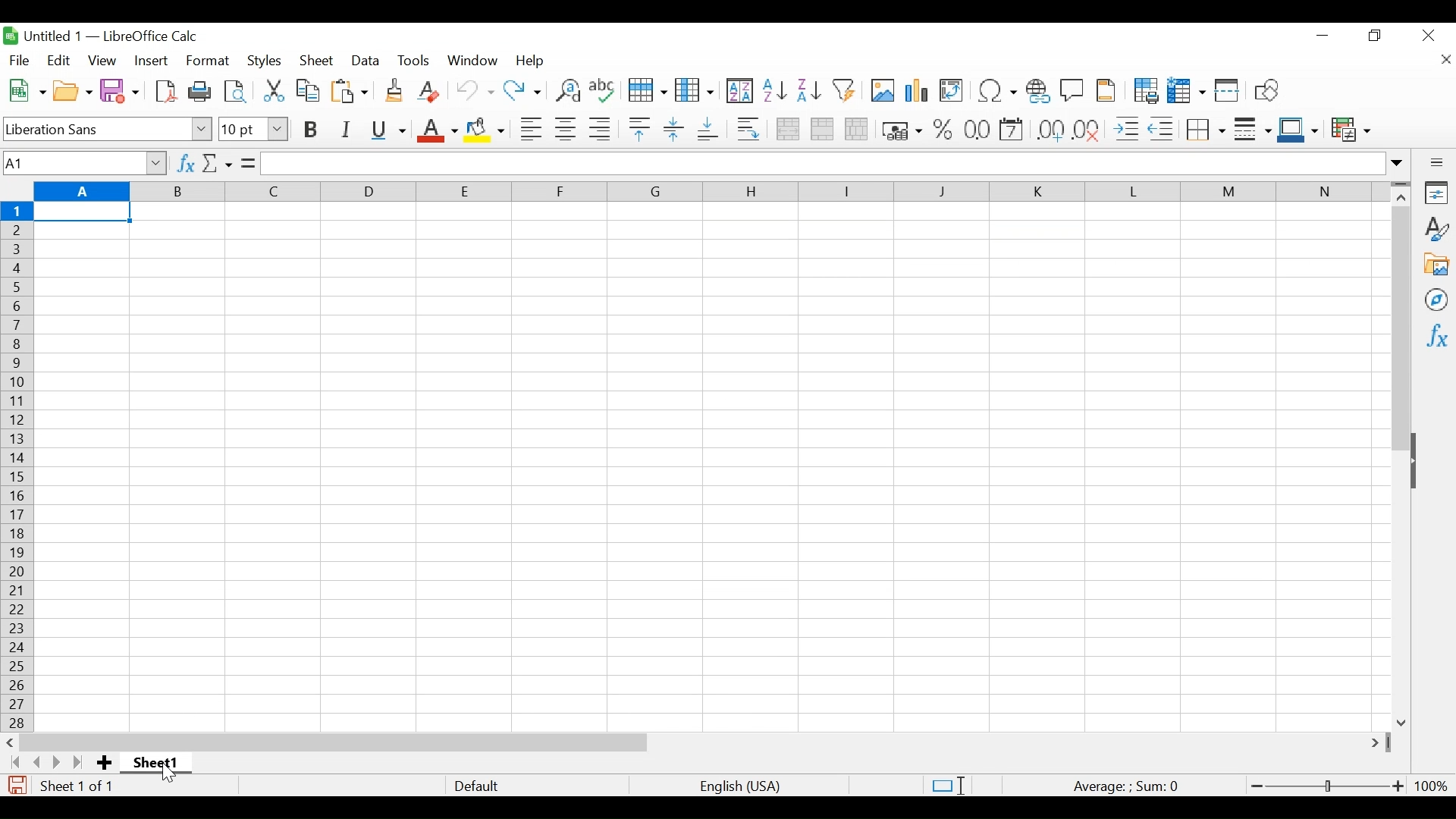 This screenshot has height=819, width=1456. I want to click on Font Color, so click(436, 131).